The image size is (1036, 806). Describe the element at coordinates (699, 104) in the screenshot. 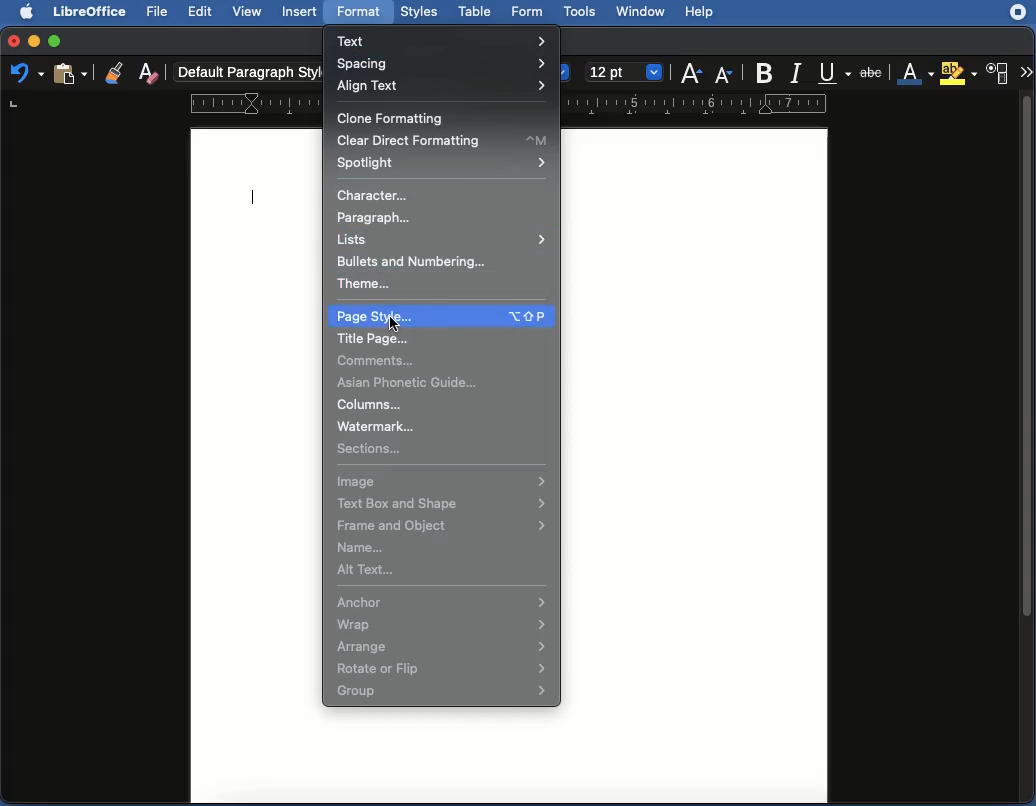

I see `Ruler` at that location.